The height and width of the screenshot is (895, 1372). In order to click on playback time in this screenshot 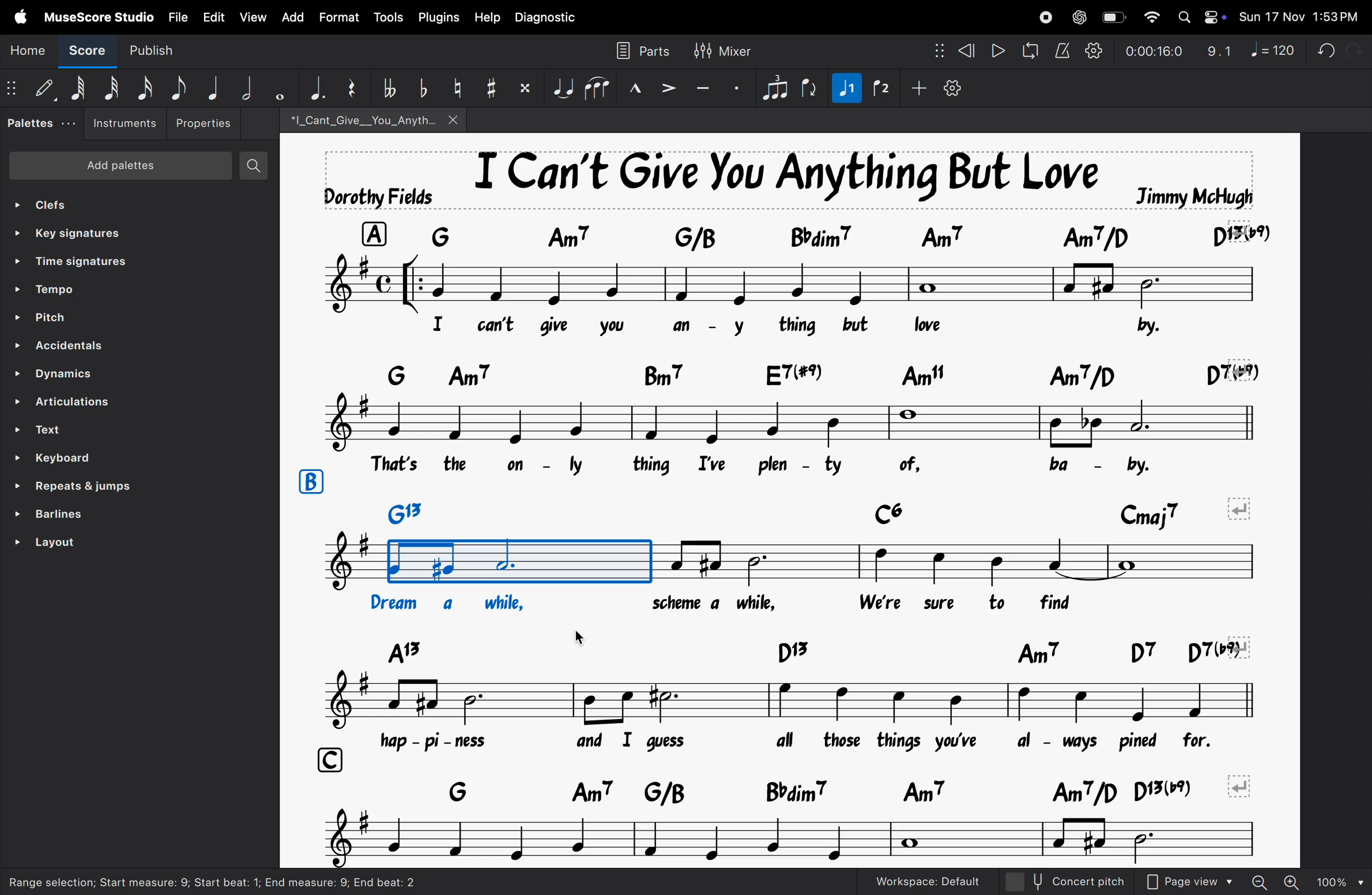, I will do `click(1154, 51)`.